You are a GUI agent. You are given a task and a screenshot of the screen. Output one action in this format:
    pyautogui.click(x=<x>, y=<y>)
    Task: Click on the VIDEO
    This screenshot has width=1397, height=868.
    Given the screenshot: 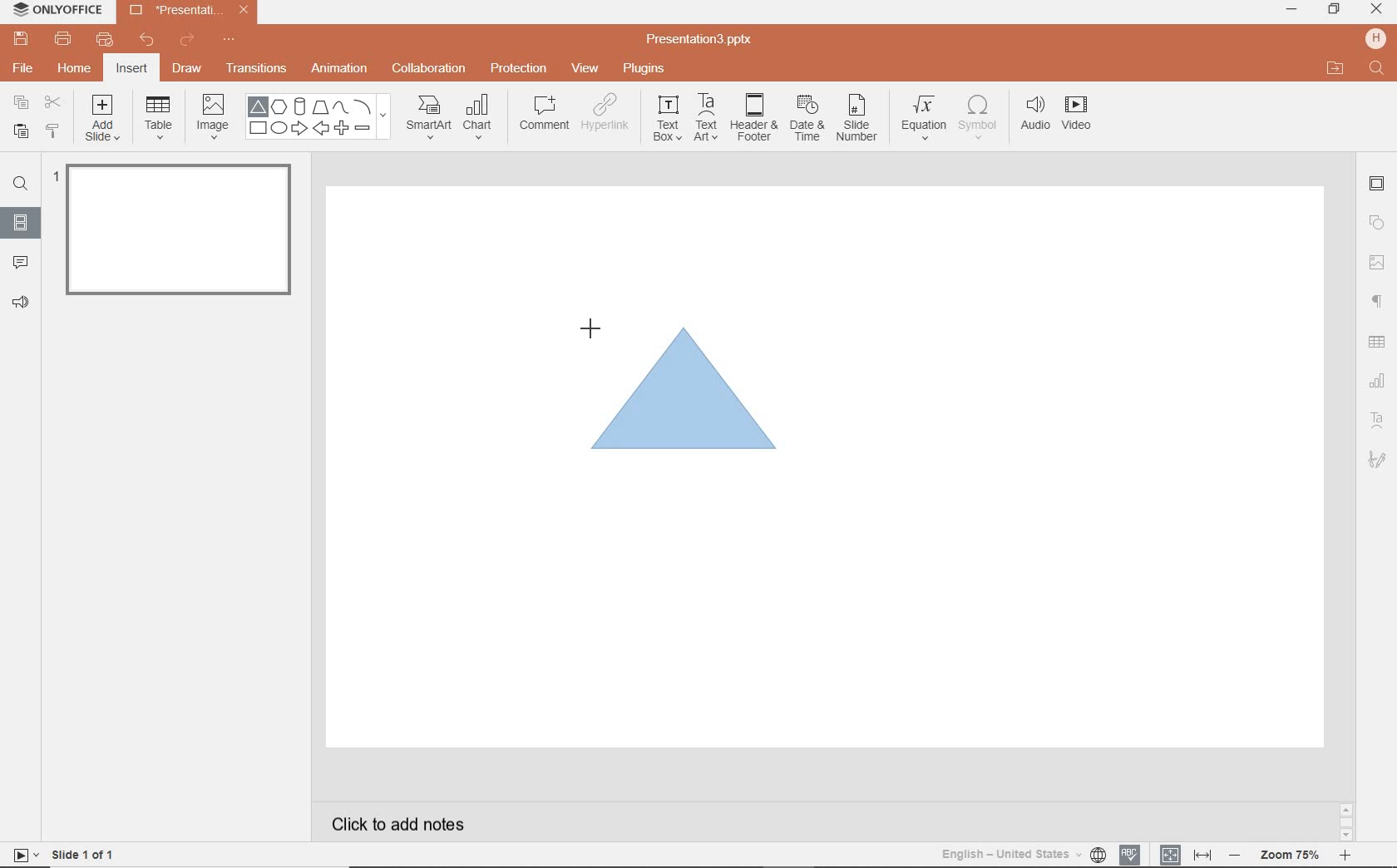 What is the action you would take?
    pyautogui.click(x=1082, y=116)
    